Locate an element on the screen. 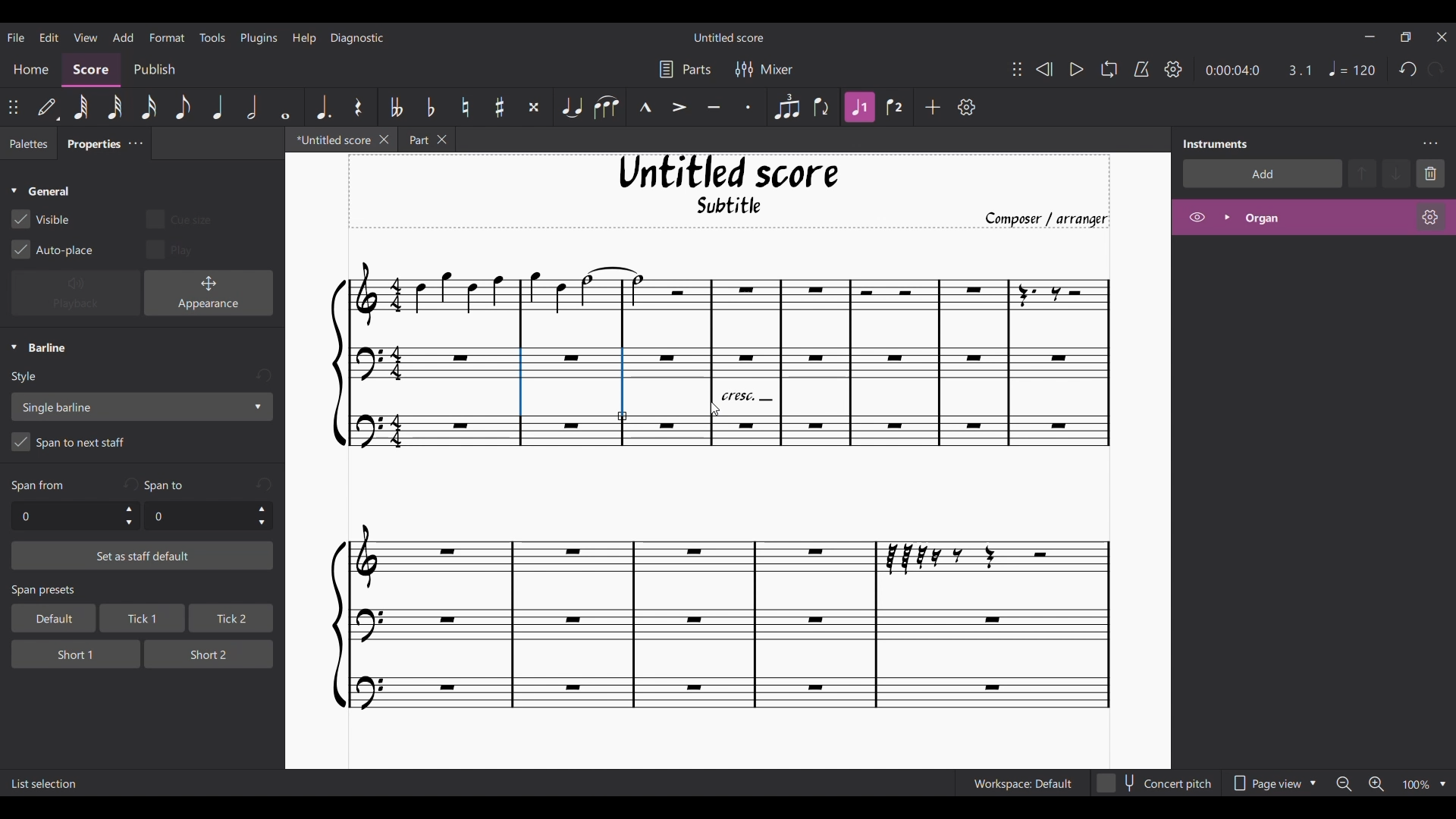  Palette tab is located at coordinates (27, 144).